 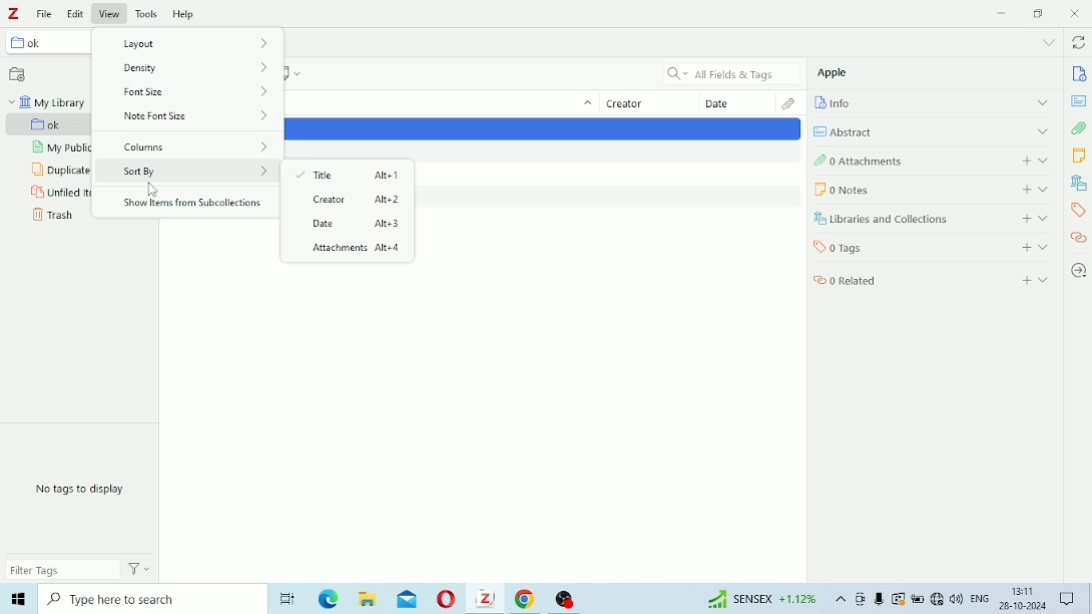 I want to click on Type here to search, so click(x=147, y=602).